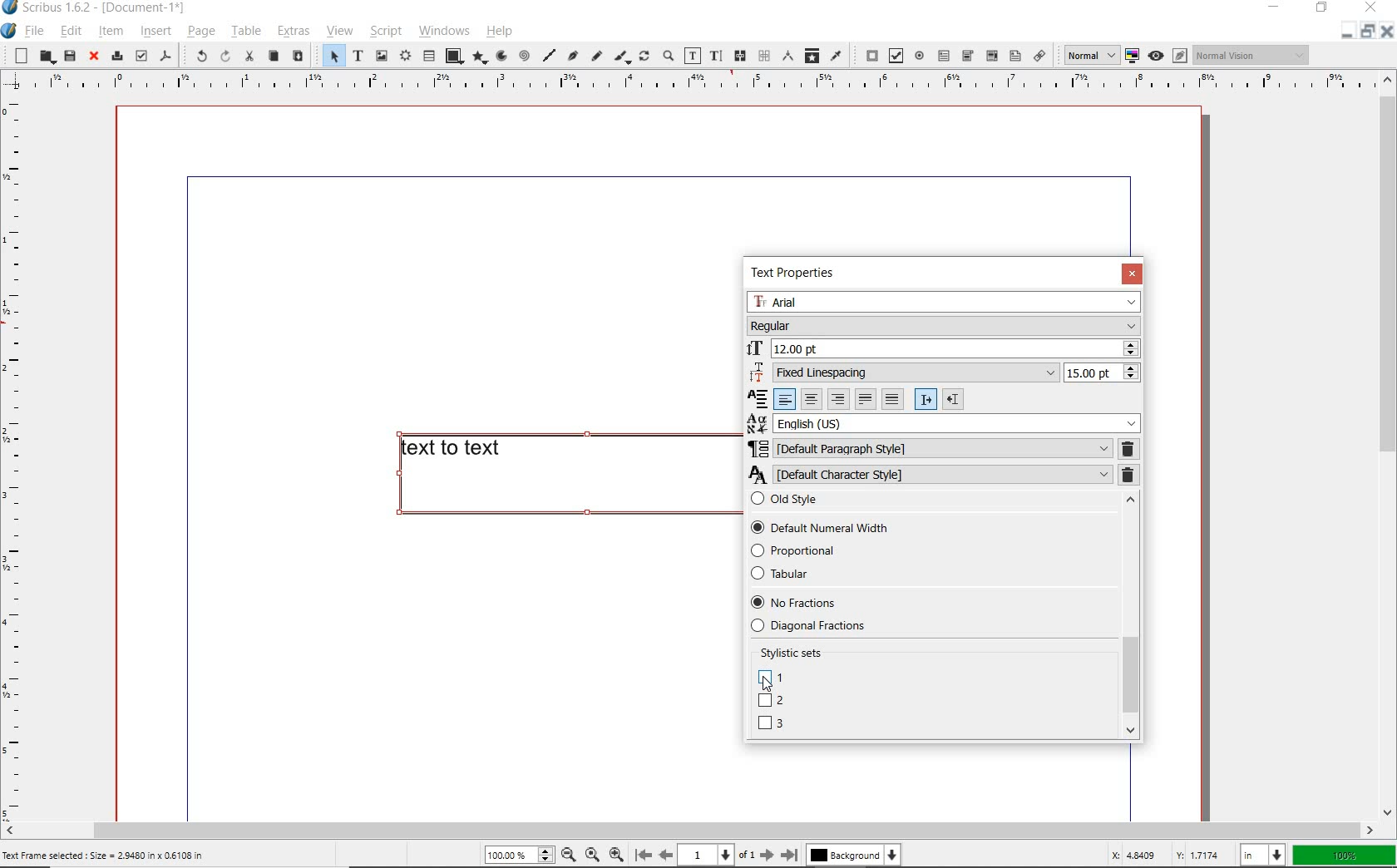  I want to click on scrollbar, so click(1387, 445).